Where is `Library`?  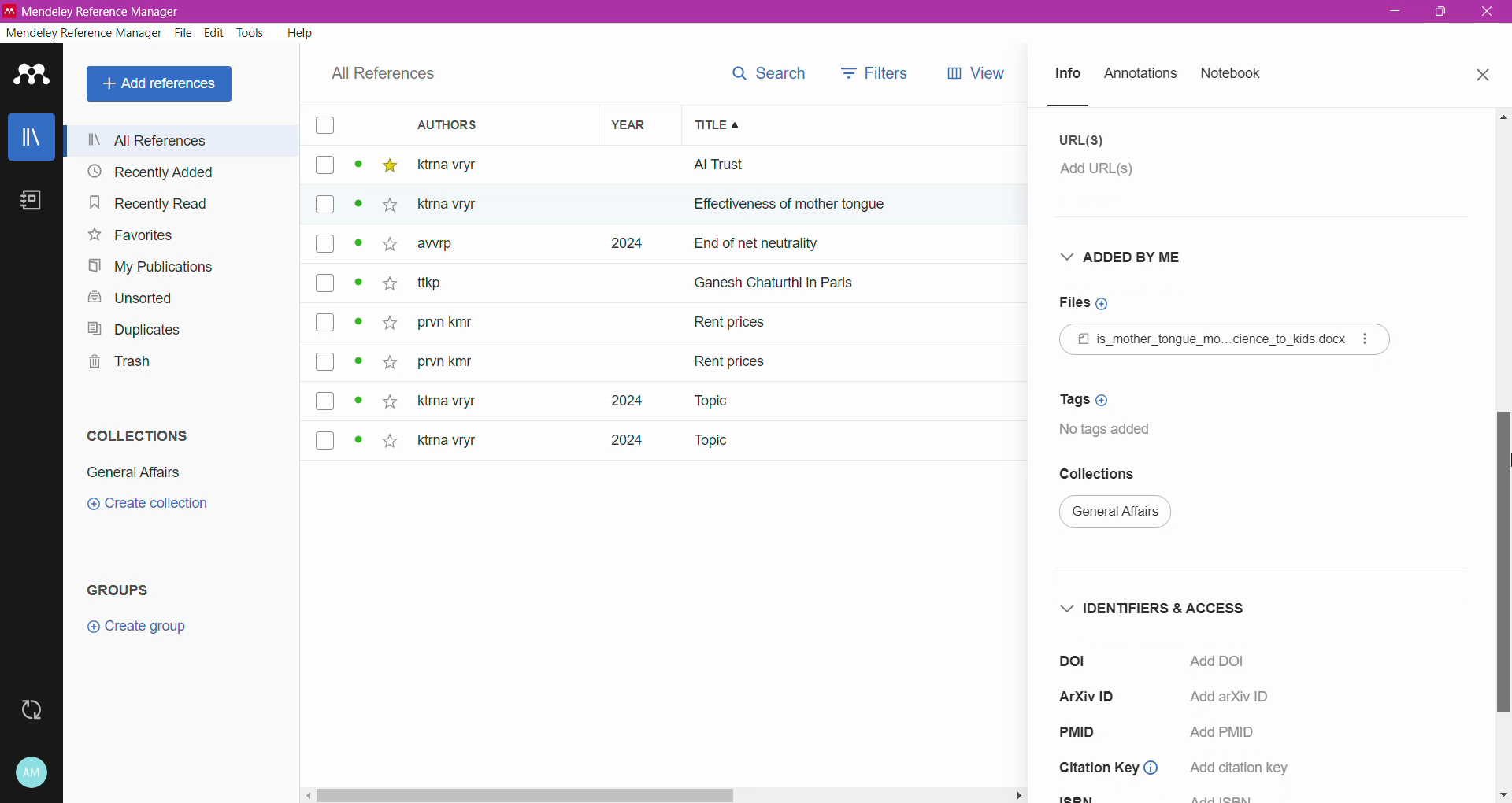 Library is located at coordinates (31, 136).